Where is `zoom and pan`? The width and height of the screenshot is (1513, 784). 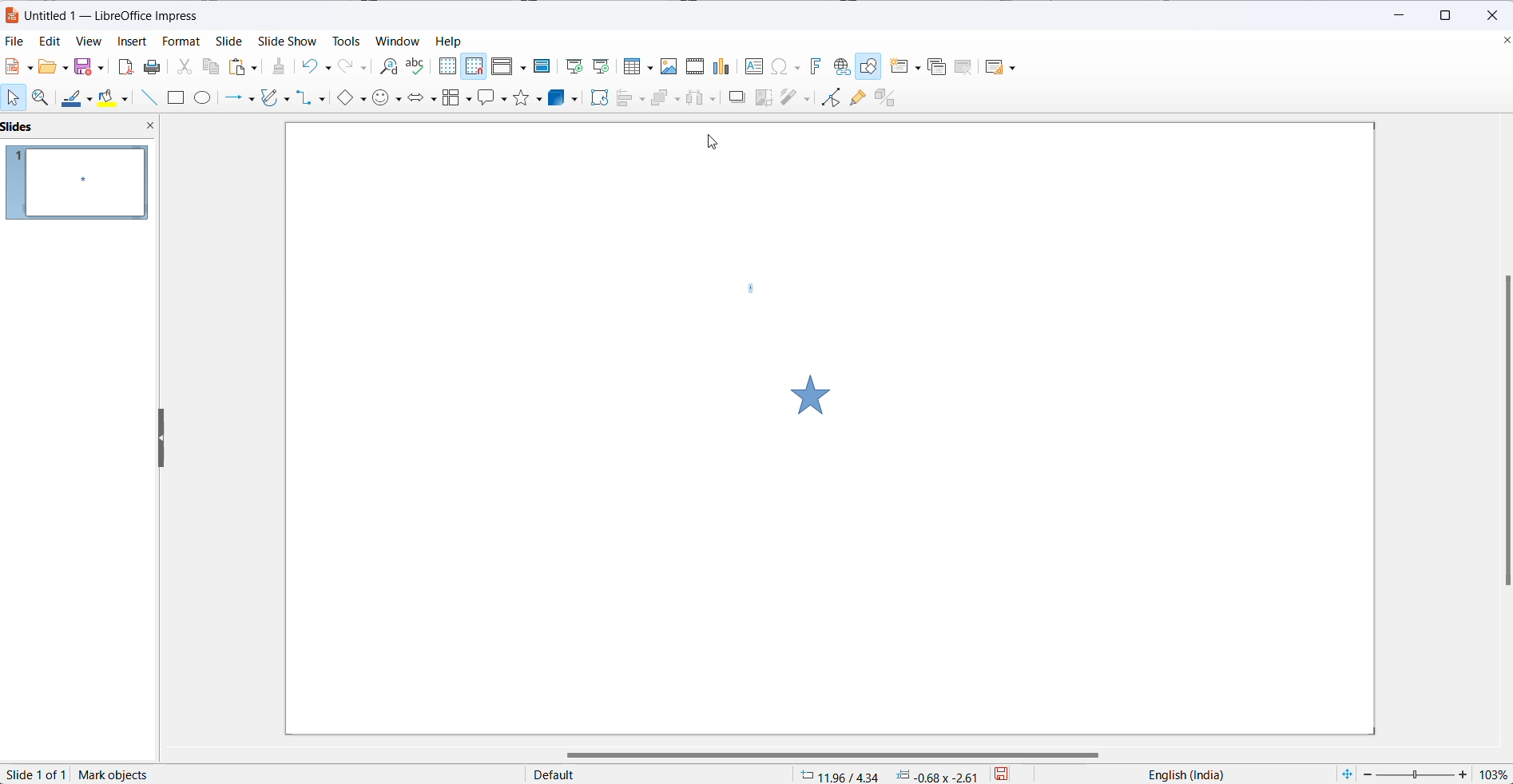
zoom and pan is located at coordinates (43, 97).